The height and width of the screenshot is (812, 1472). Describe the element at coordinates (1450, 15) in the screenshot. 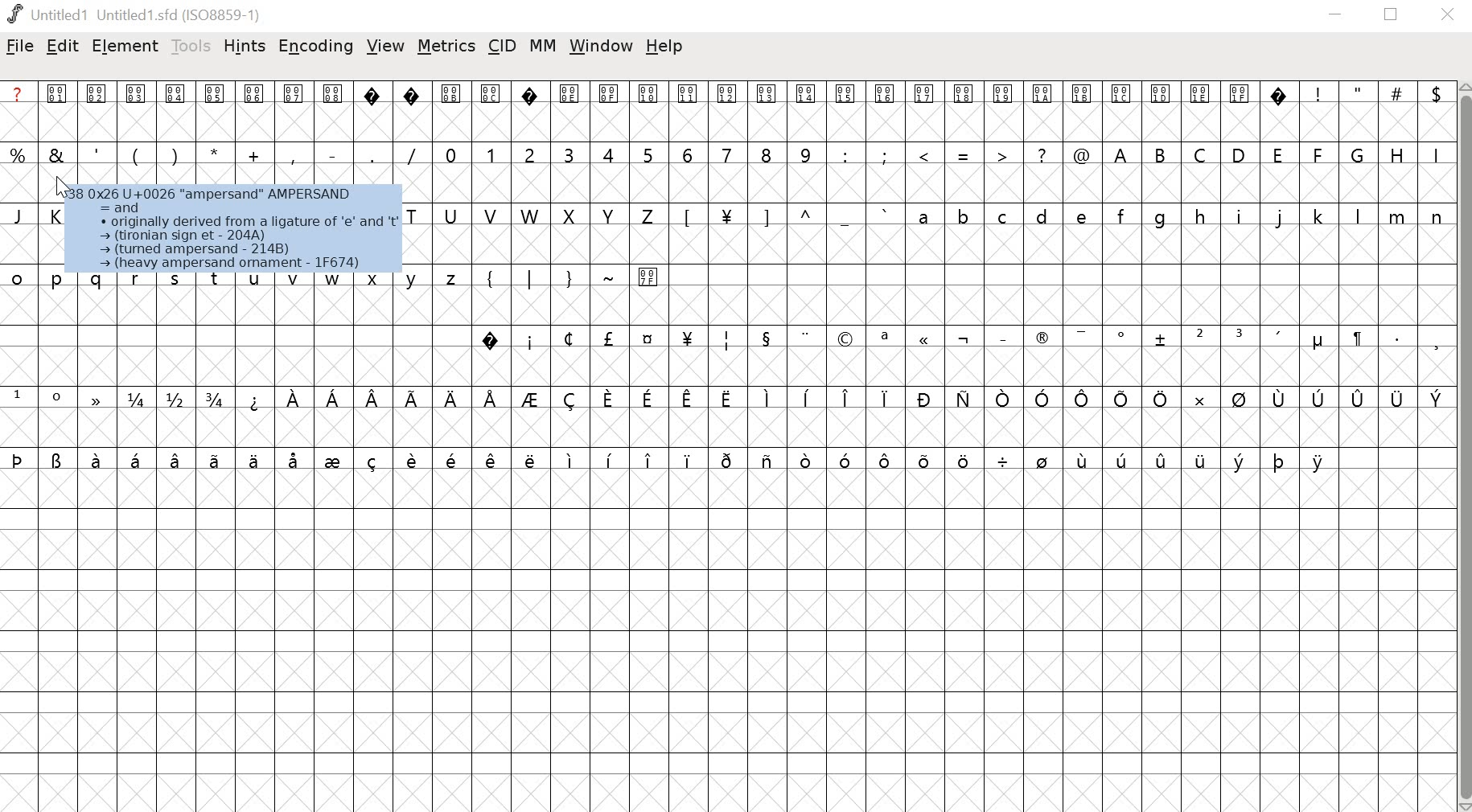

I see `close` at that location.